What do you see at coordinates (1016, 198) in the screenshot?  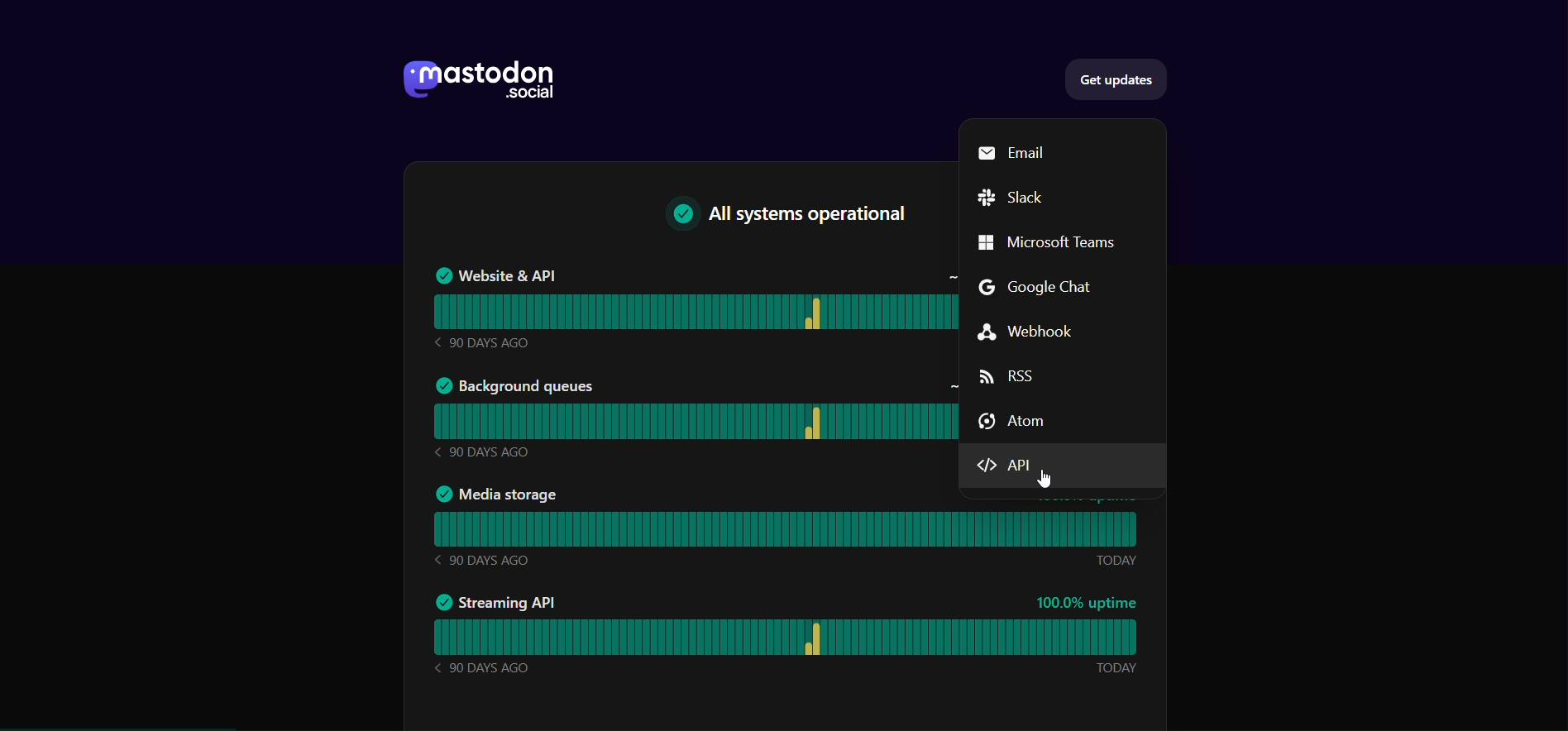 I see `Slack` at bounding box center [1016, 198].